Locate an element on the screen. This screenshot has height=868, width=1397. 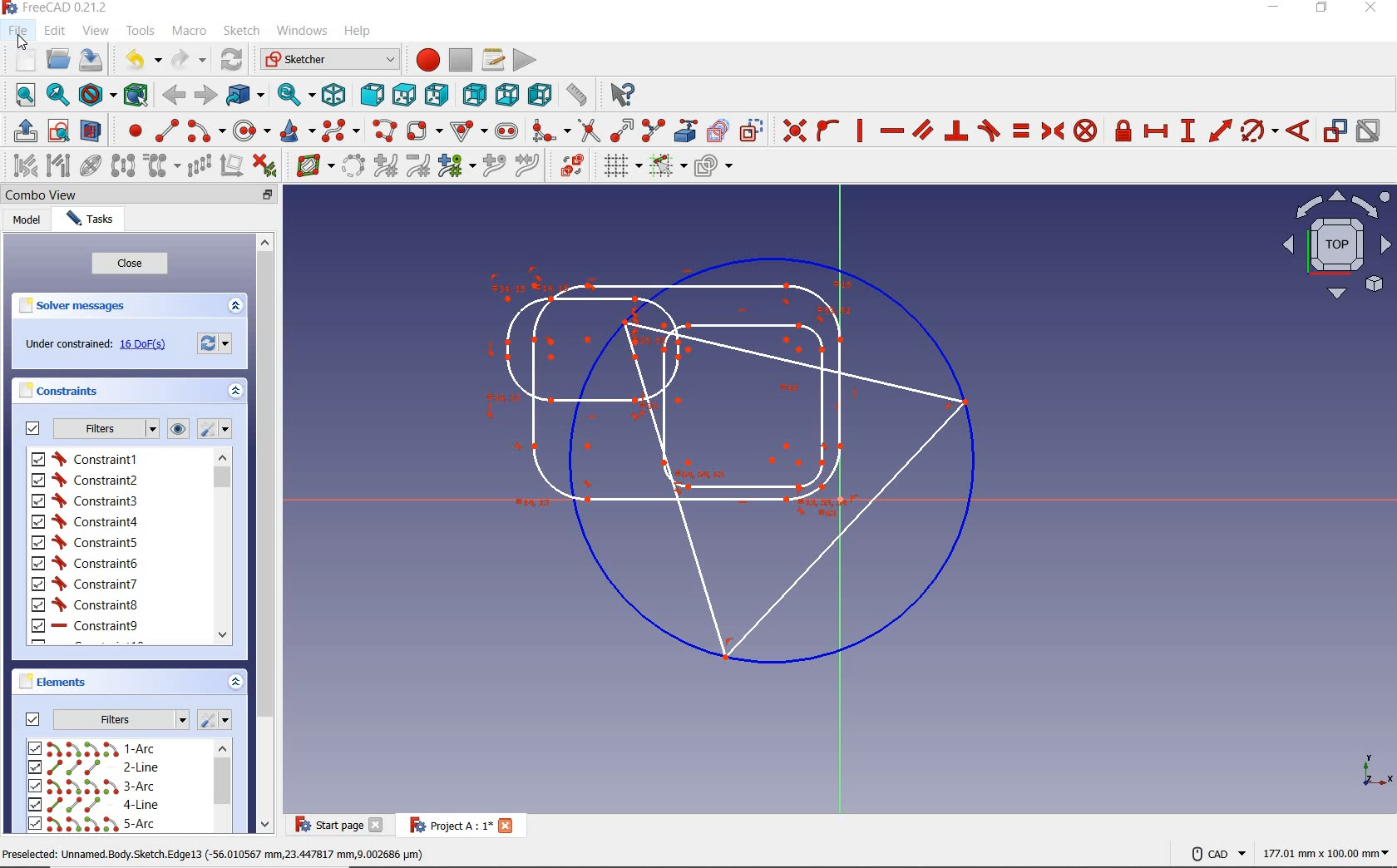
constraint3 is located at coordinates (85, 501).